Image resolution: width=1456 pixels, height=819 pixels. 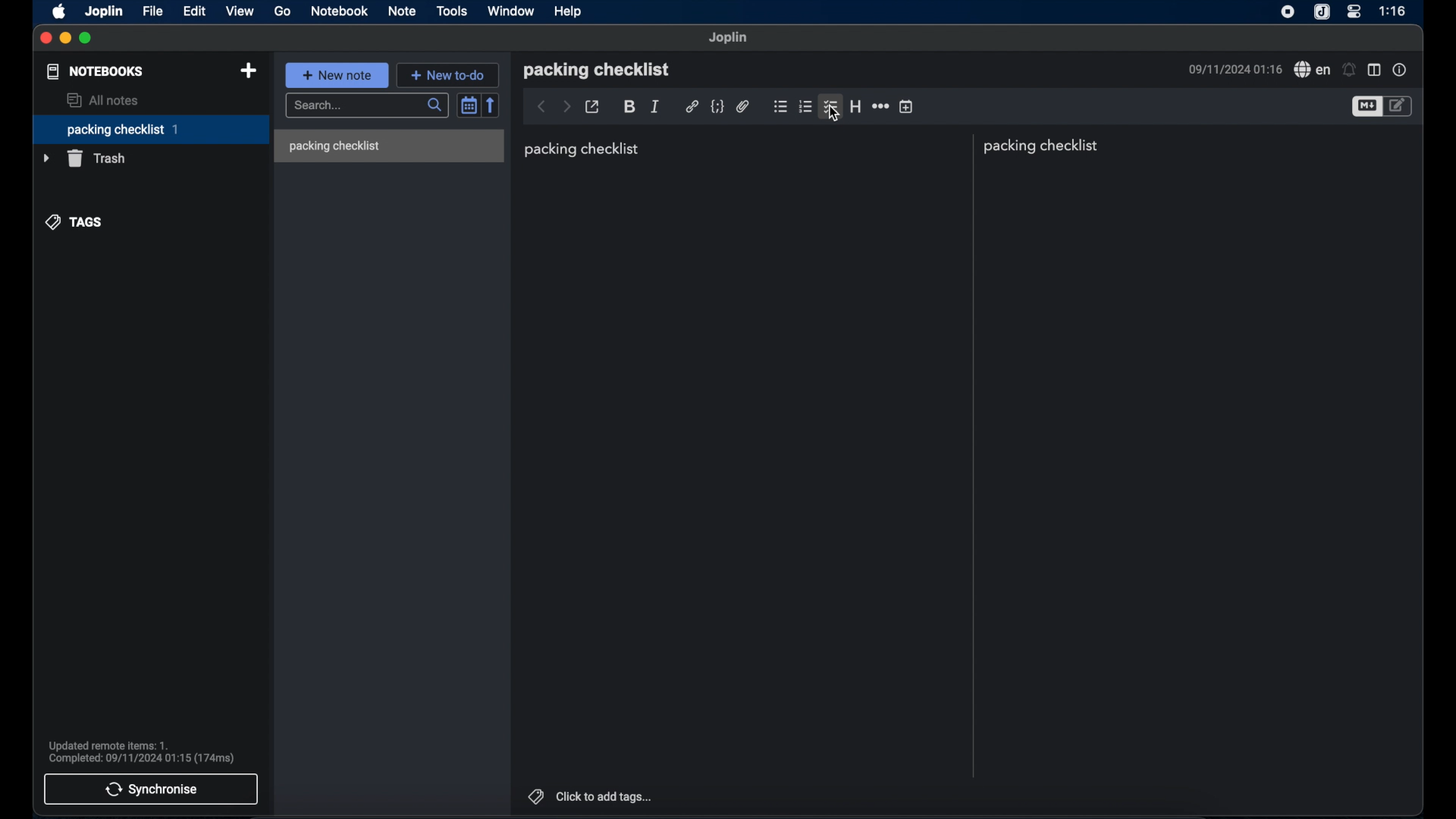 What do you see at coordinates (105, 100) in the screenshot?
I see `all notes` at bounding box center [105, 100].